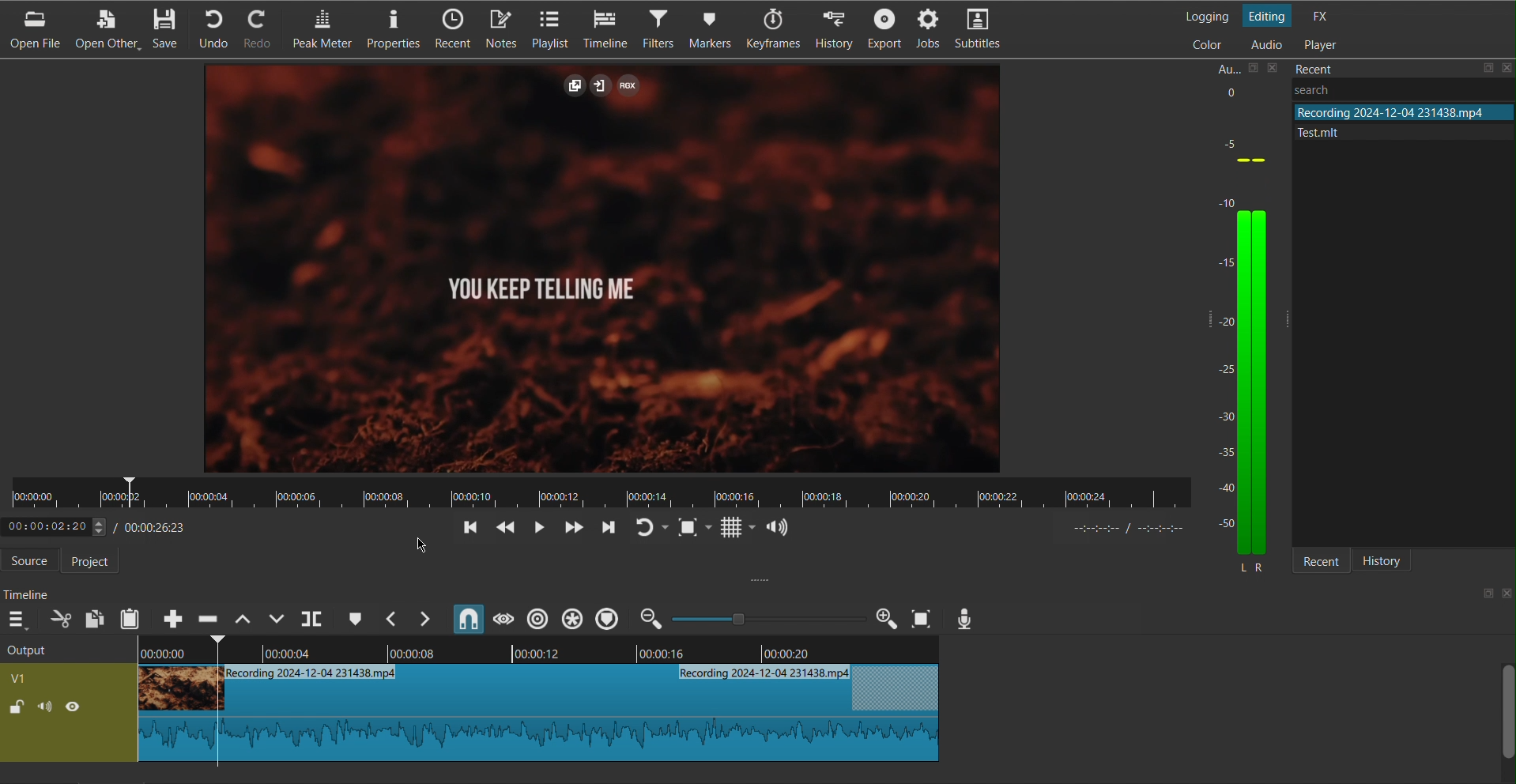 The height and width of the screenshot is (784, 1516). I want to click on Peak Meter, so click(319, 30).